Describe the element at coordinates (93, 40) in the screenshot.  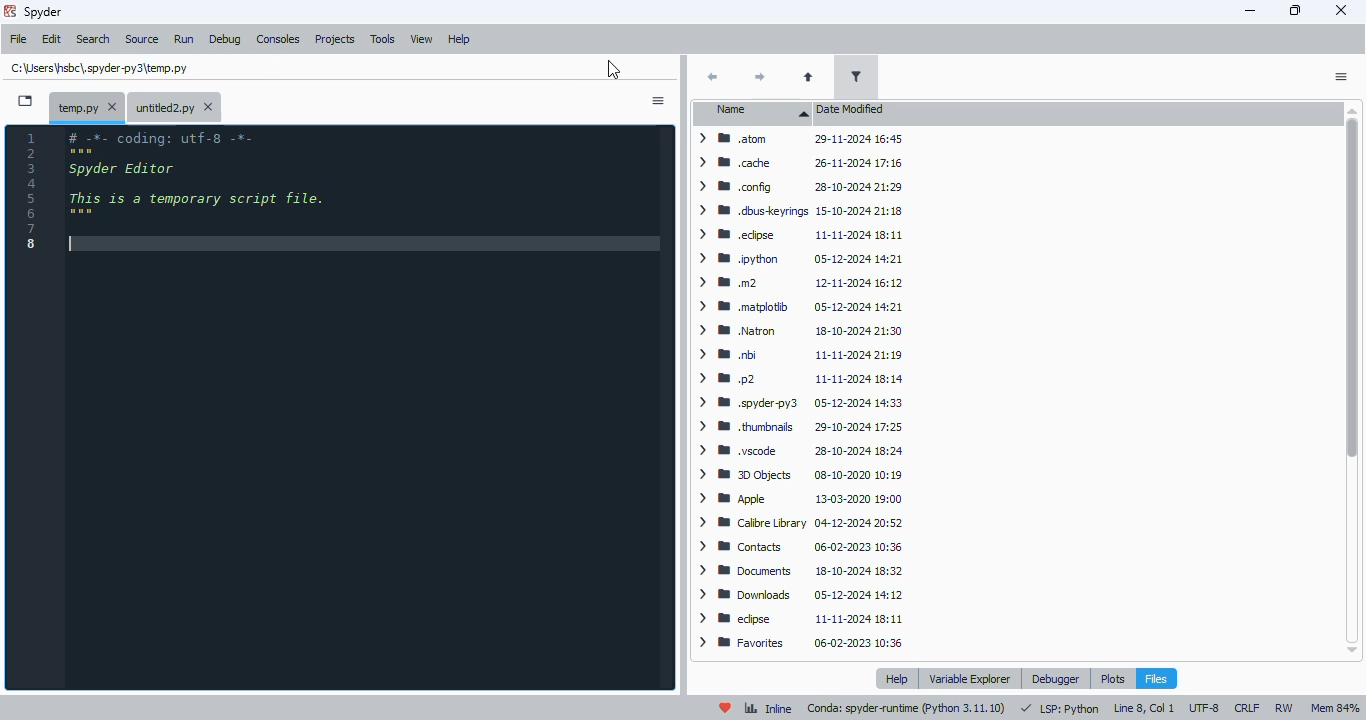
I see `search` at that location.